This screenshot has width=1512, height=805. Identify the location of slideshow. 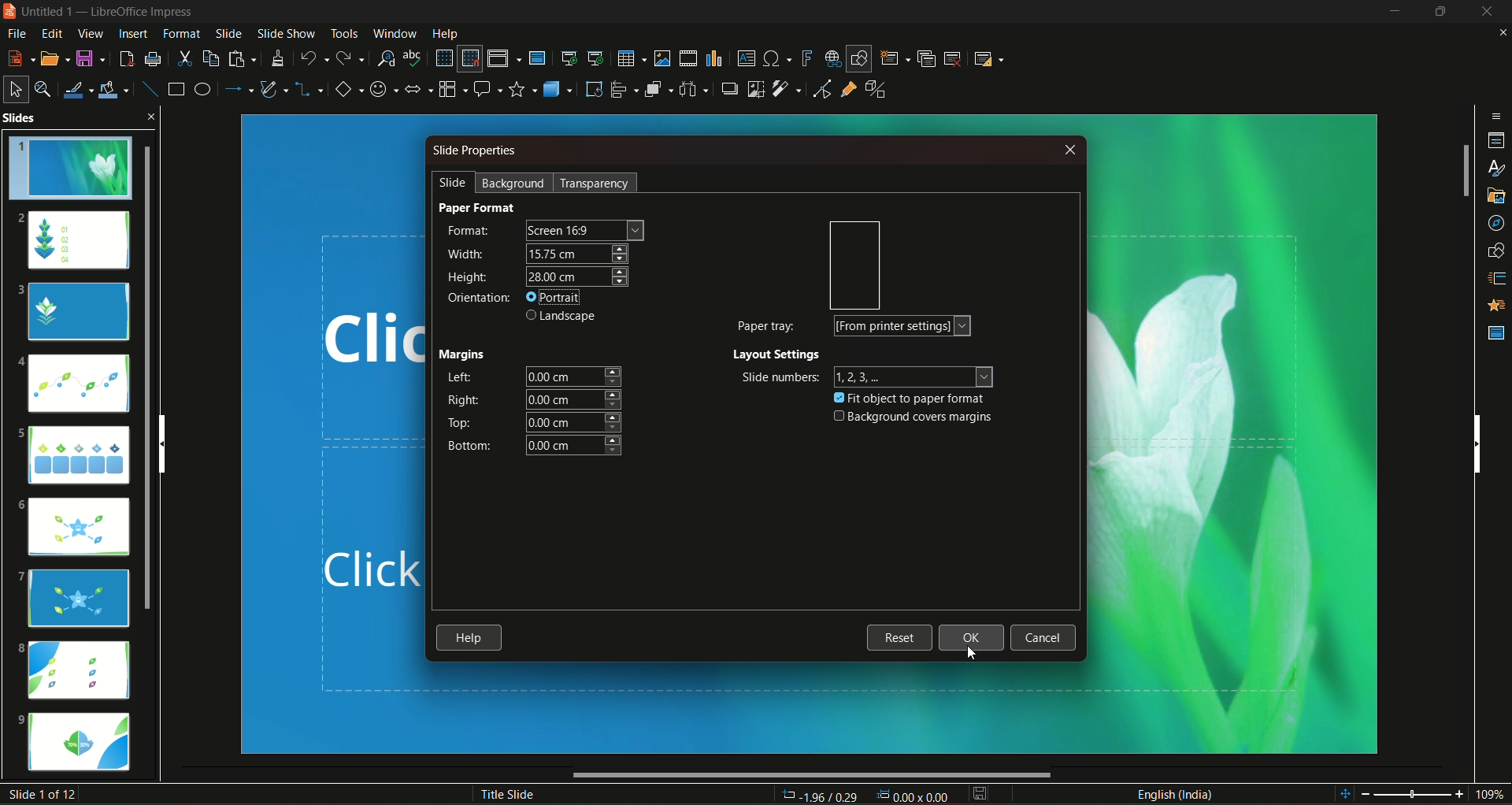
(284, 32).